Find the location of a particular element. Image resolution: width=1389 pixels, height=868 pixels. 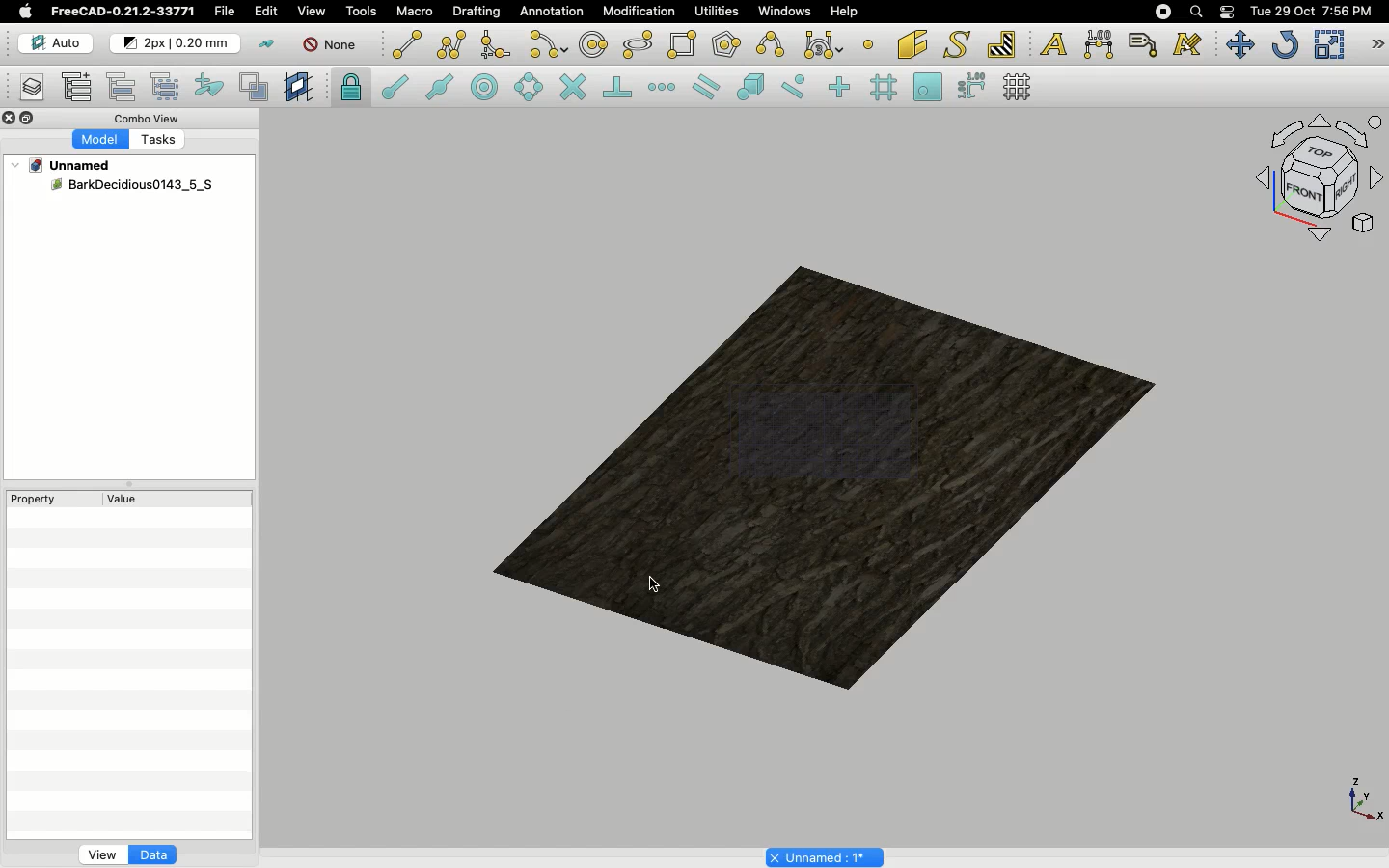

Autogroup off is located at coordinates (333, 46).